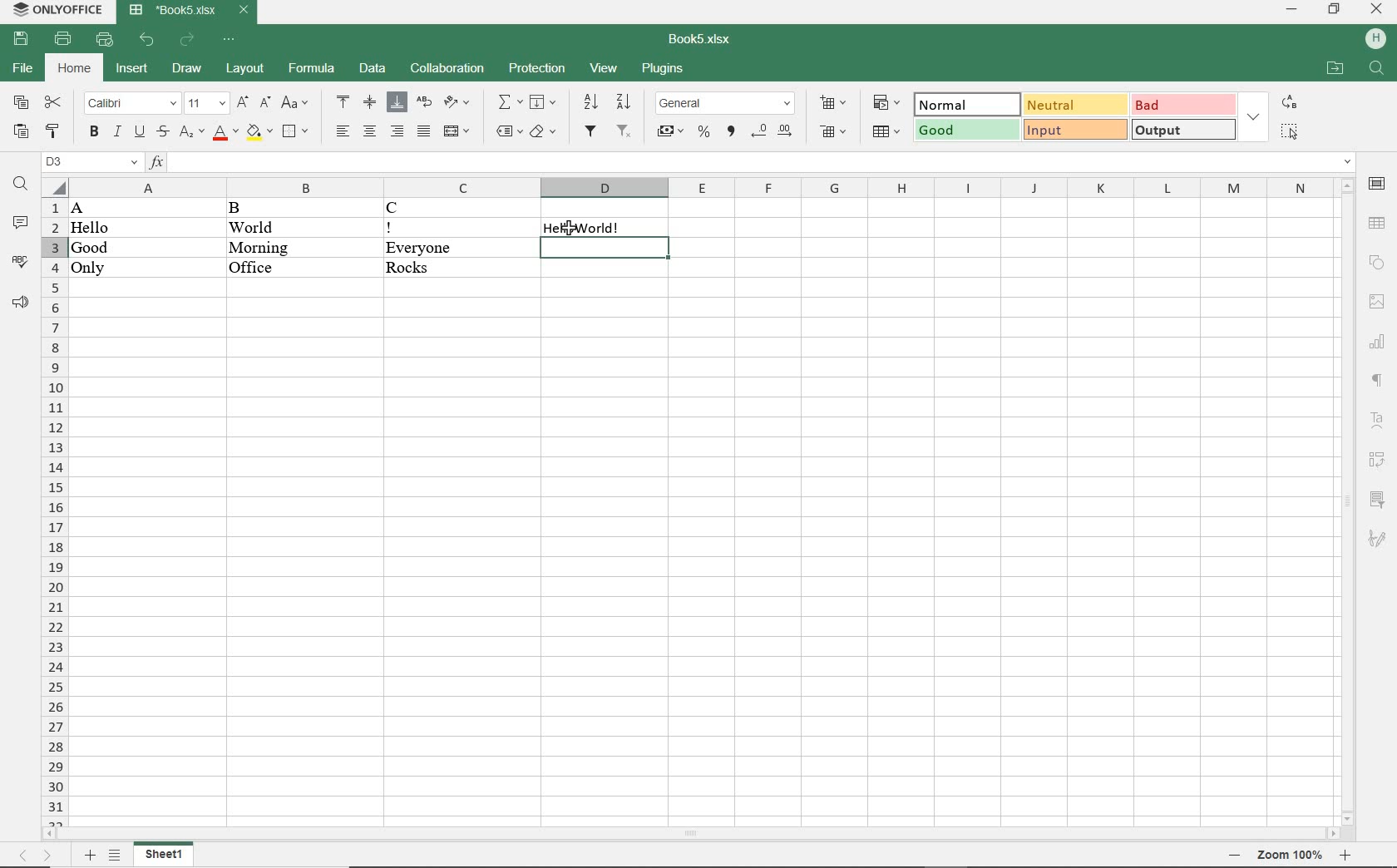  I want to click on OUTPUT, so click(1183, 128).